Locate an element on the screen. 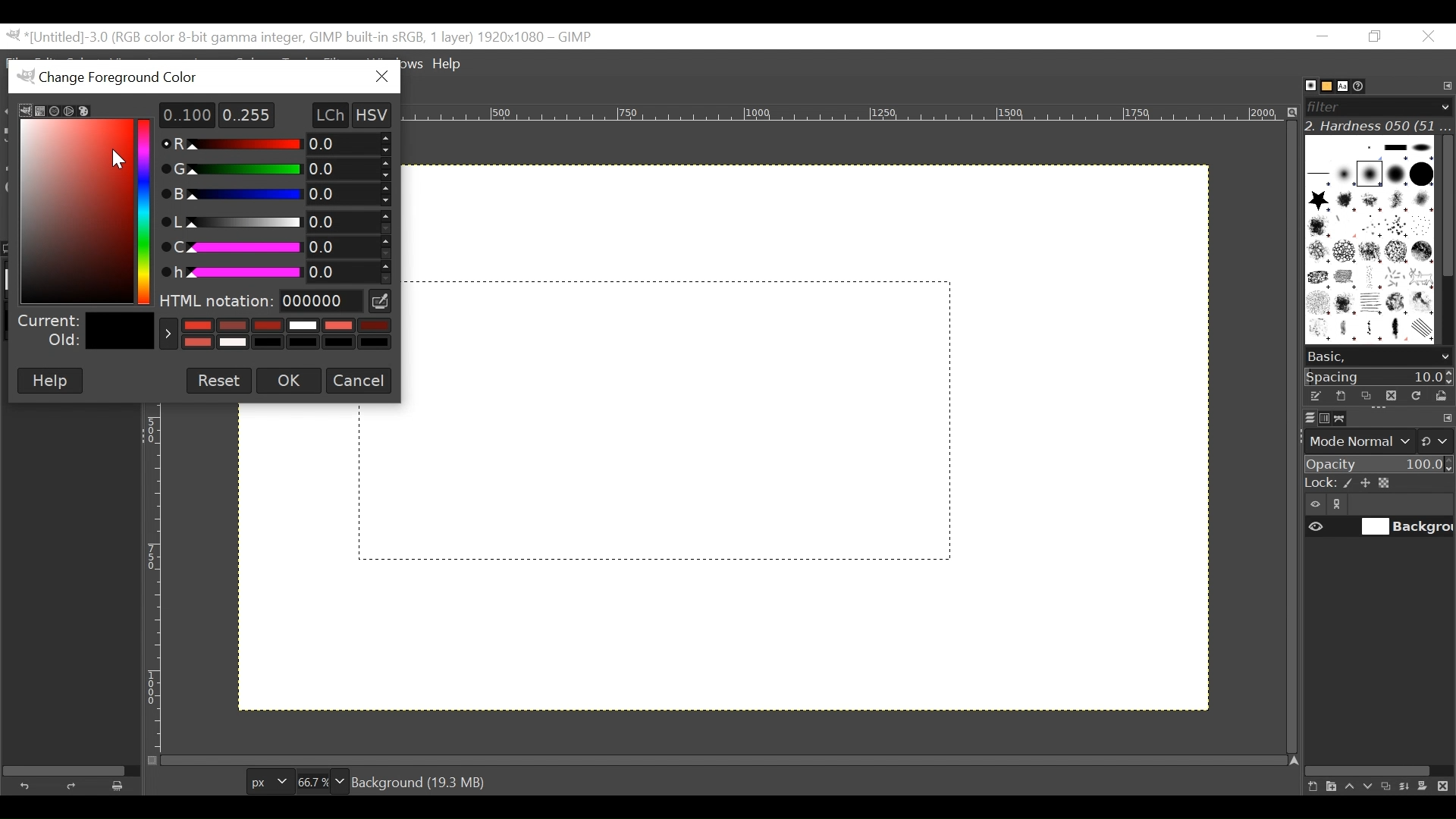 The height and width of the screenshot is (819, 1456). Duplicate brush is located at coordinates (1390, 395).